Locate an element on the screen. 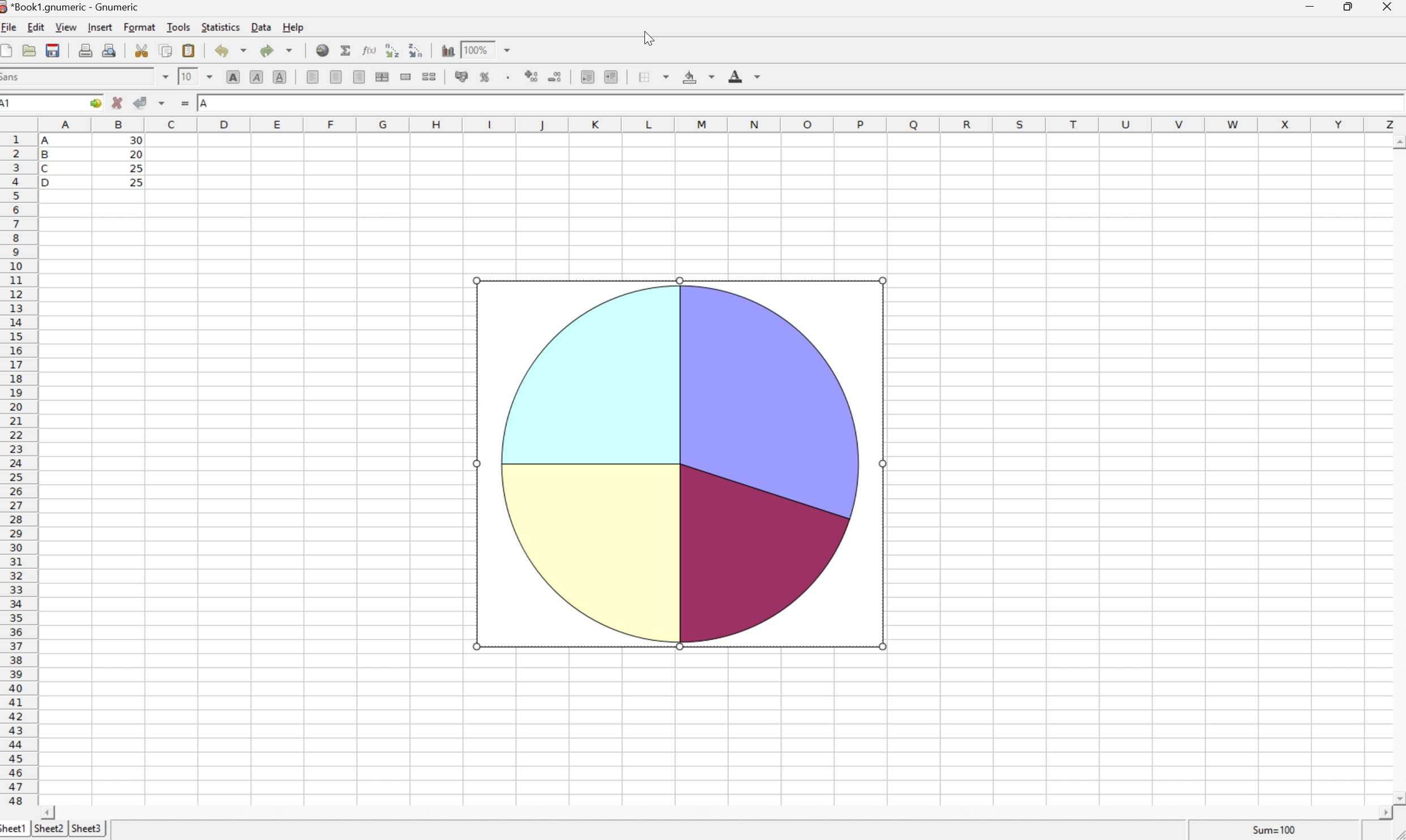 The height and width of the screenshot is (840, 1406). Undo is located at coordinates (230, 50).